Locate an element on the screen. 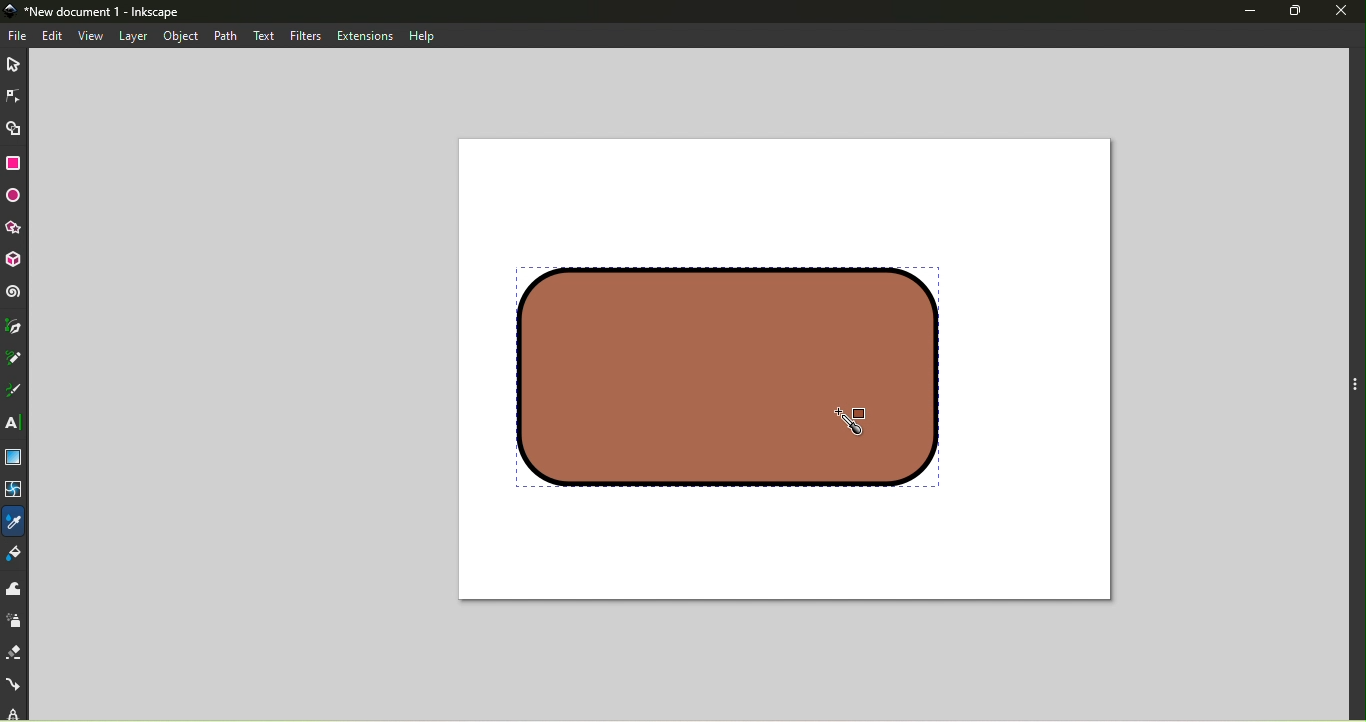 The height and width of the screenshot is (722, 1366). Mesh tool is located at coordinates (16, 492).